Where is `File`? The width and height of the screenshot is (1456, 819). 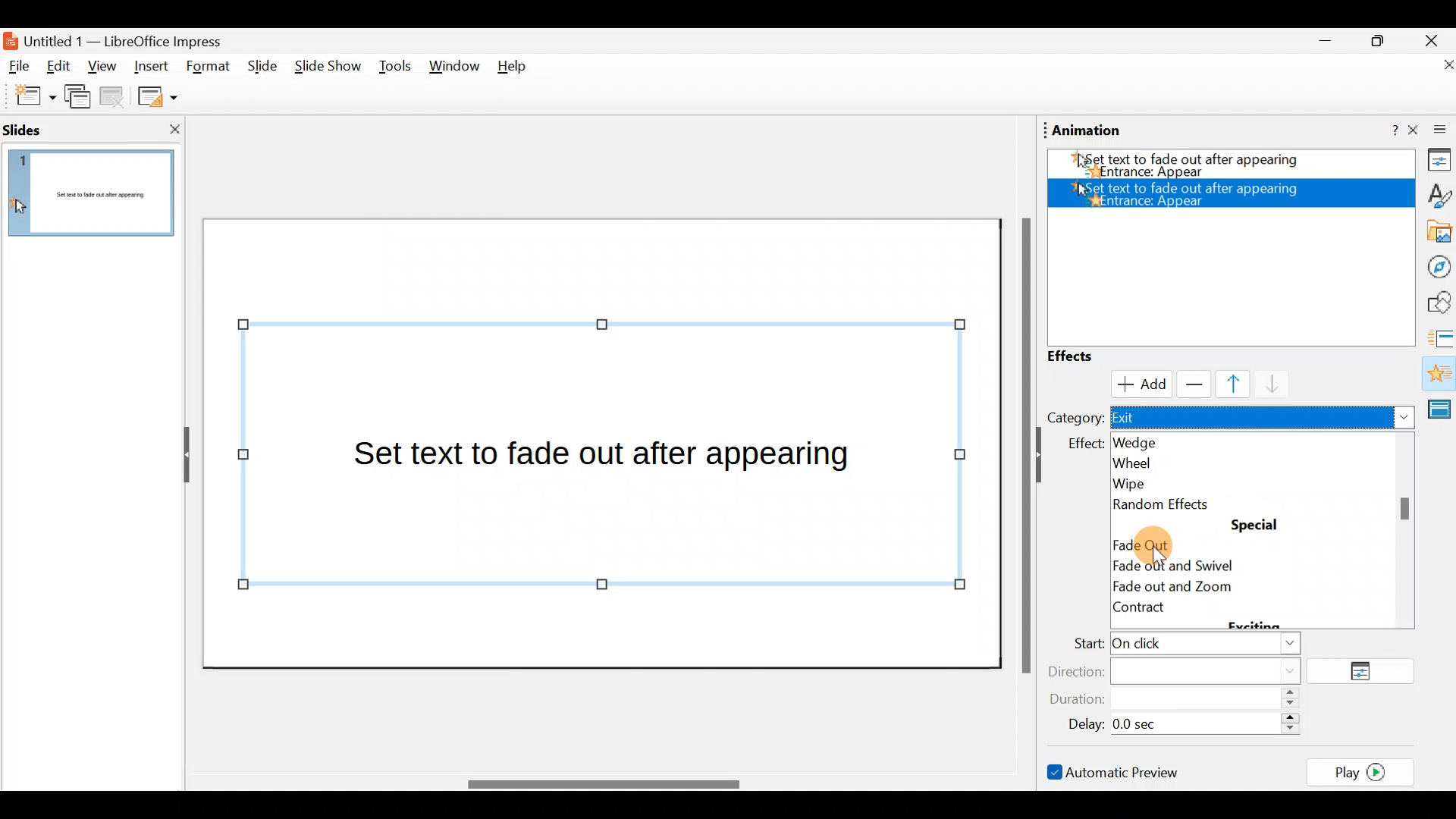 File is located at coordinates (20, 67).